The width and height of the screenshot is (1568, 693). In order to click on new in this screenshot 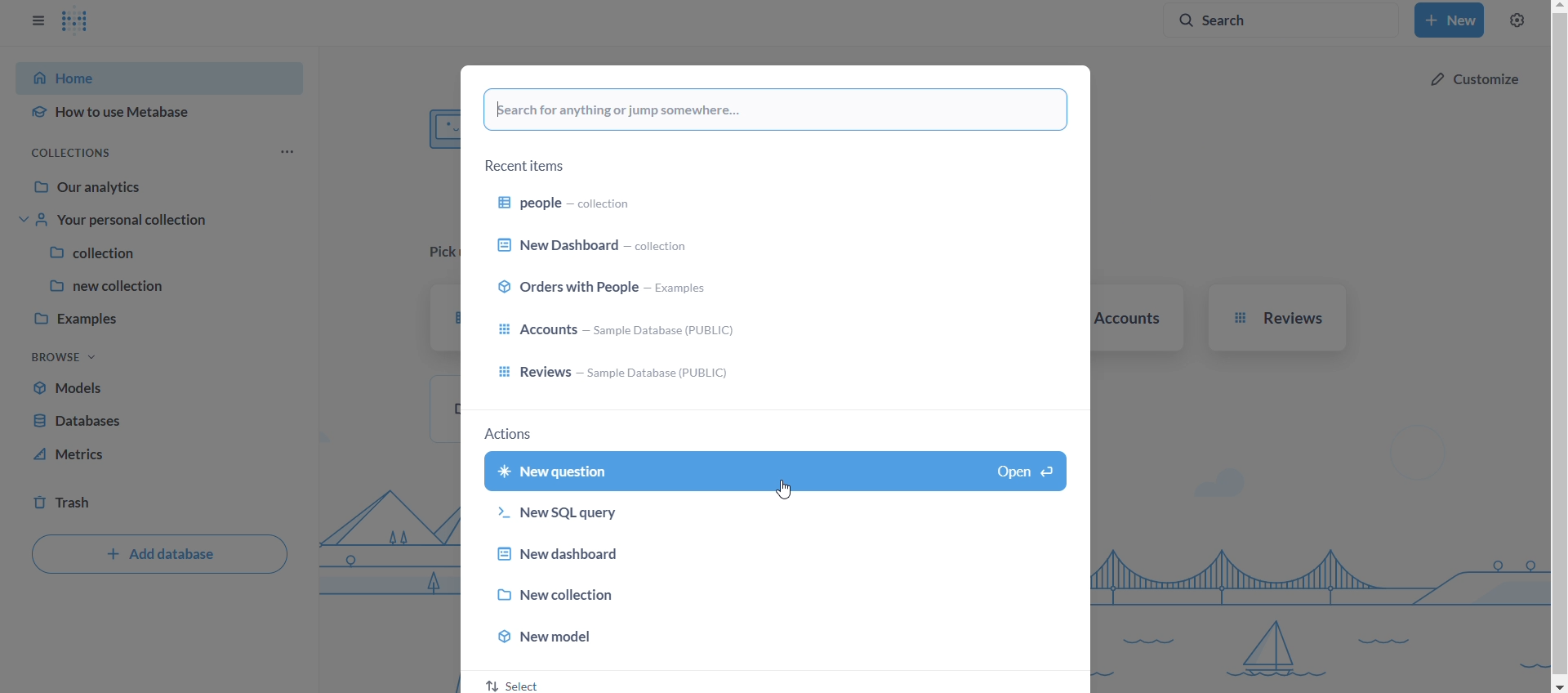, I will do `click(1448, 20)`.